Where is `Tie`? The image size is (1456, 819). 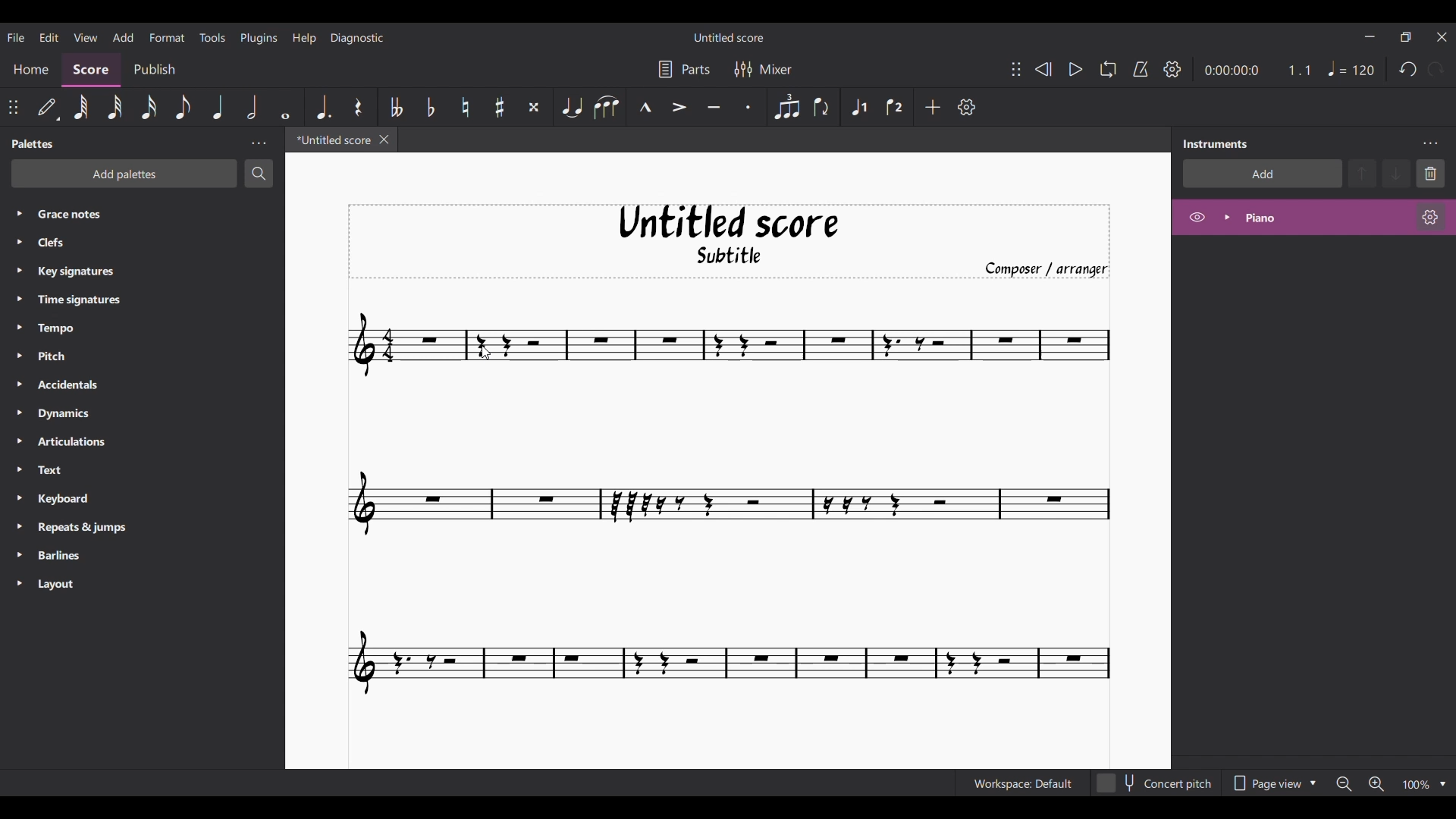 Tie is located at coordinates (571, 107).